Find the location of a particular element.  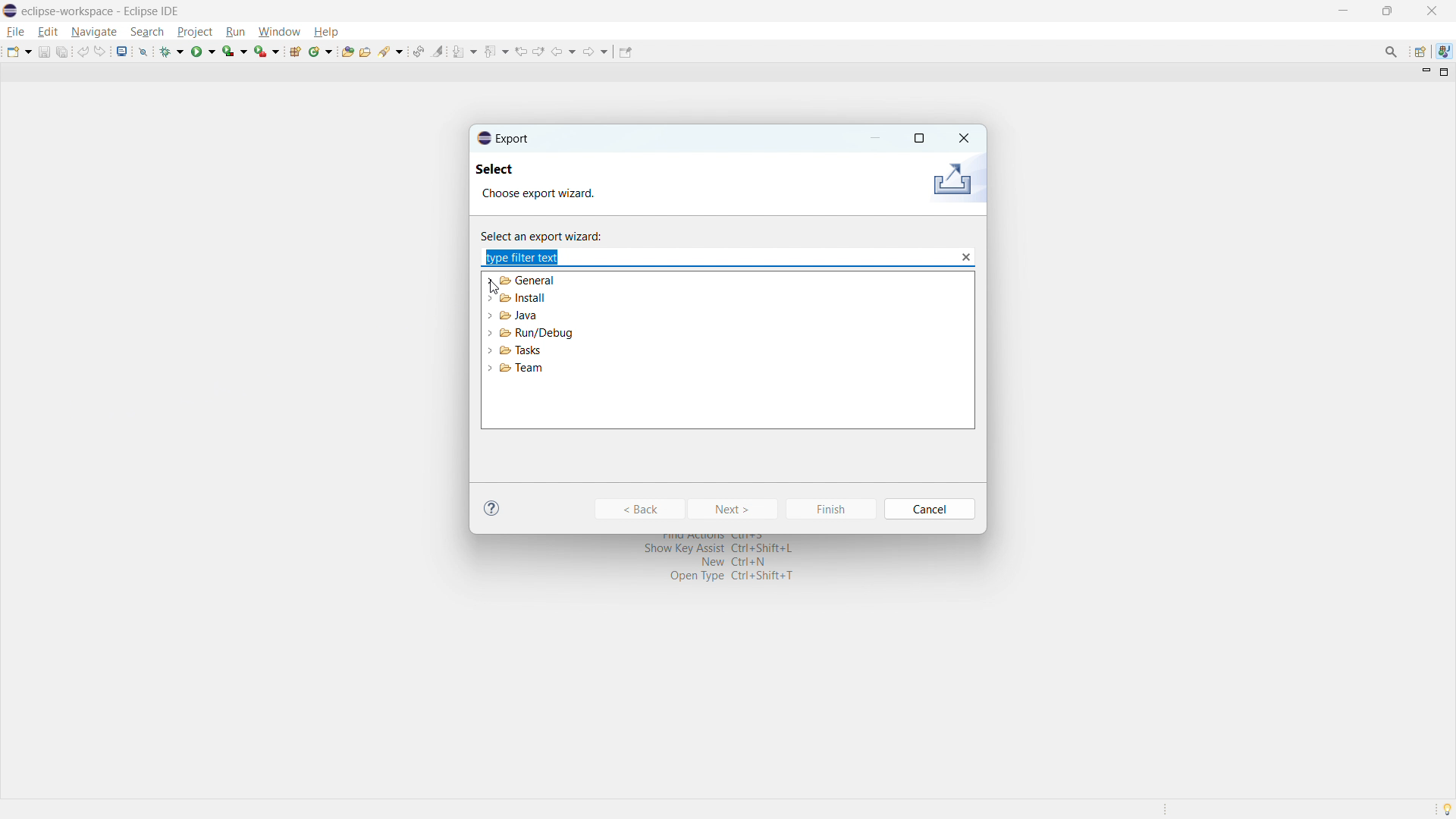

debug is located at coordinates (172, 52).